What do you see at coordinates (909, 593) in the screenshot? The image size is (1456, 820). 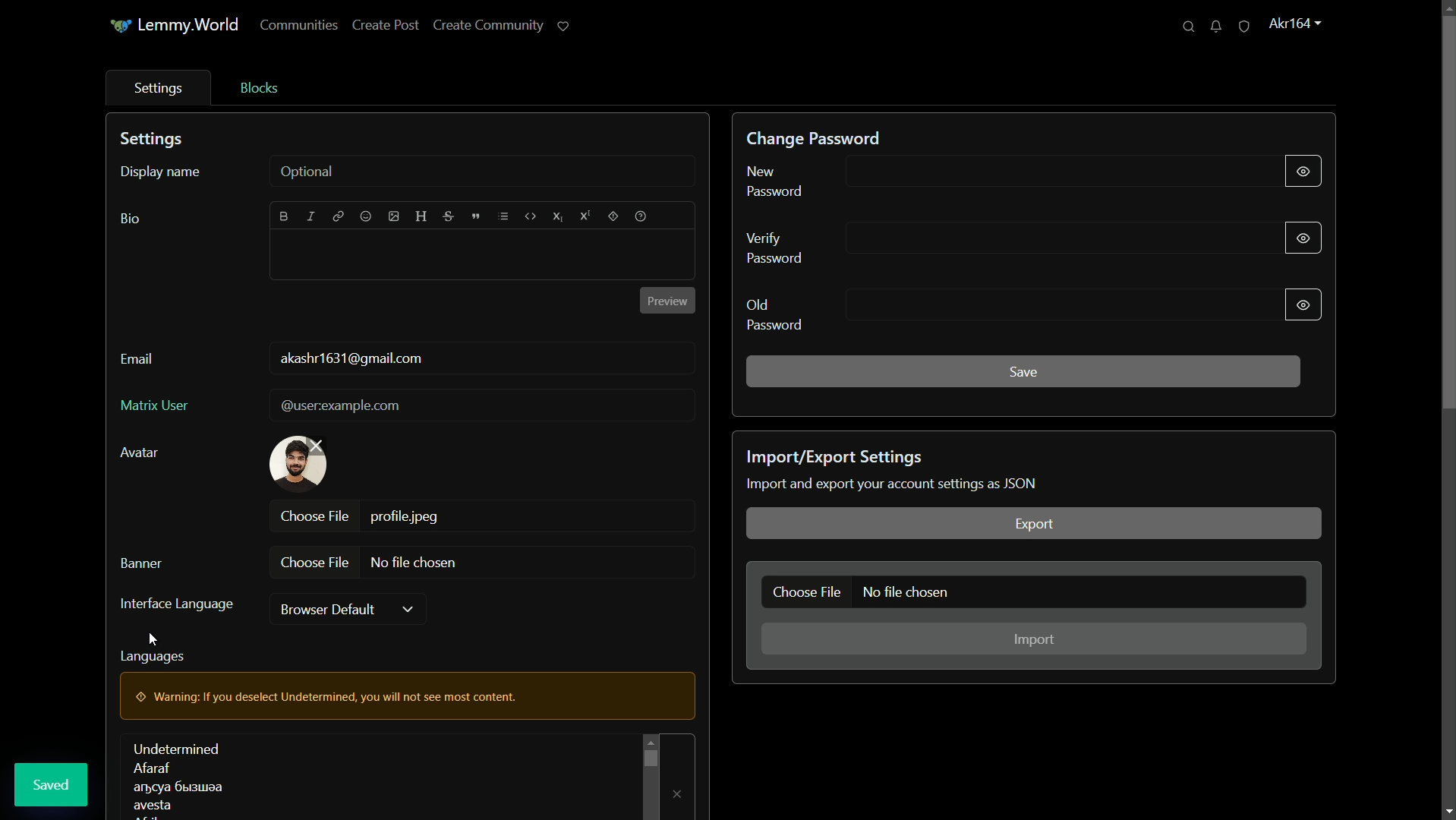 I see `no file chosen` at bounding box center [909, 593].